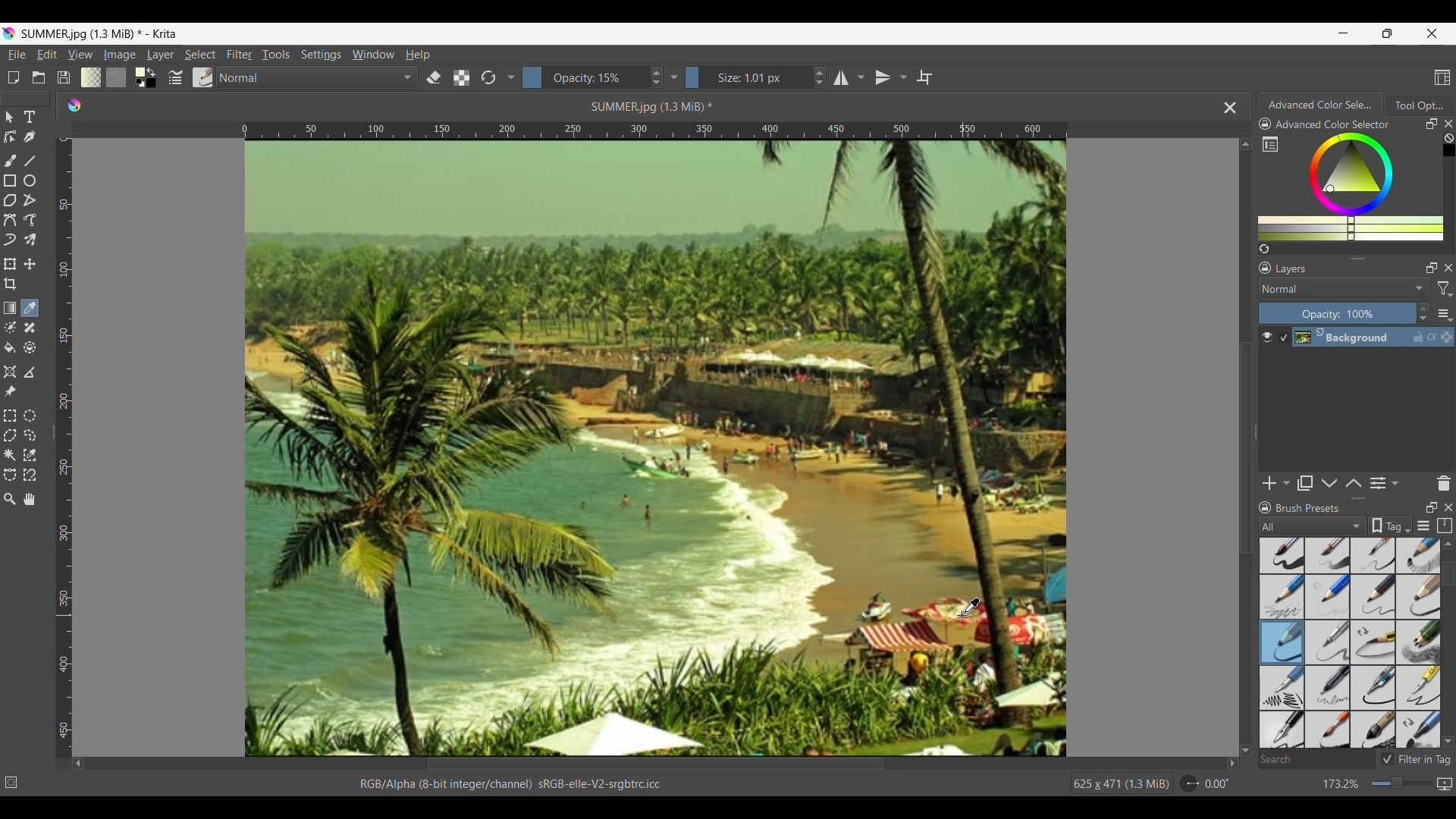 The image size is (1456, 819). I want to click on Fill patterns, so click(116, 77).